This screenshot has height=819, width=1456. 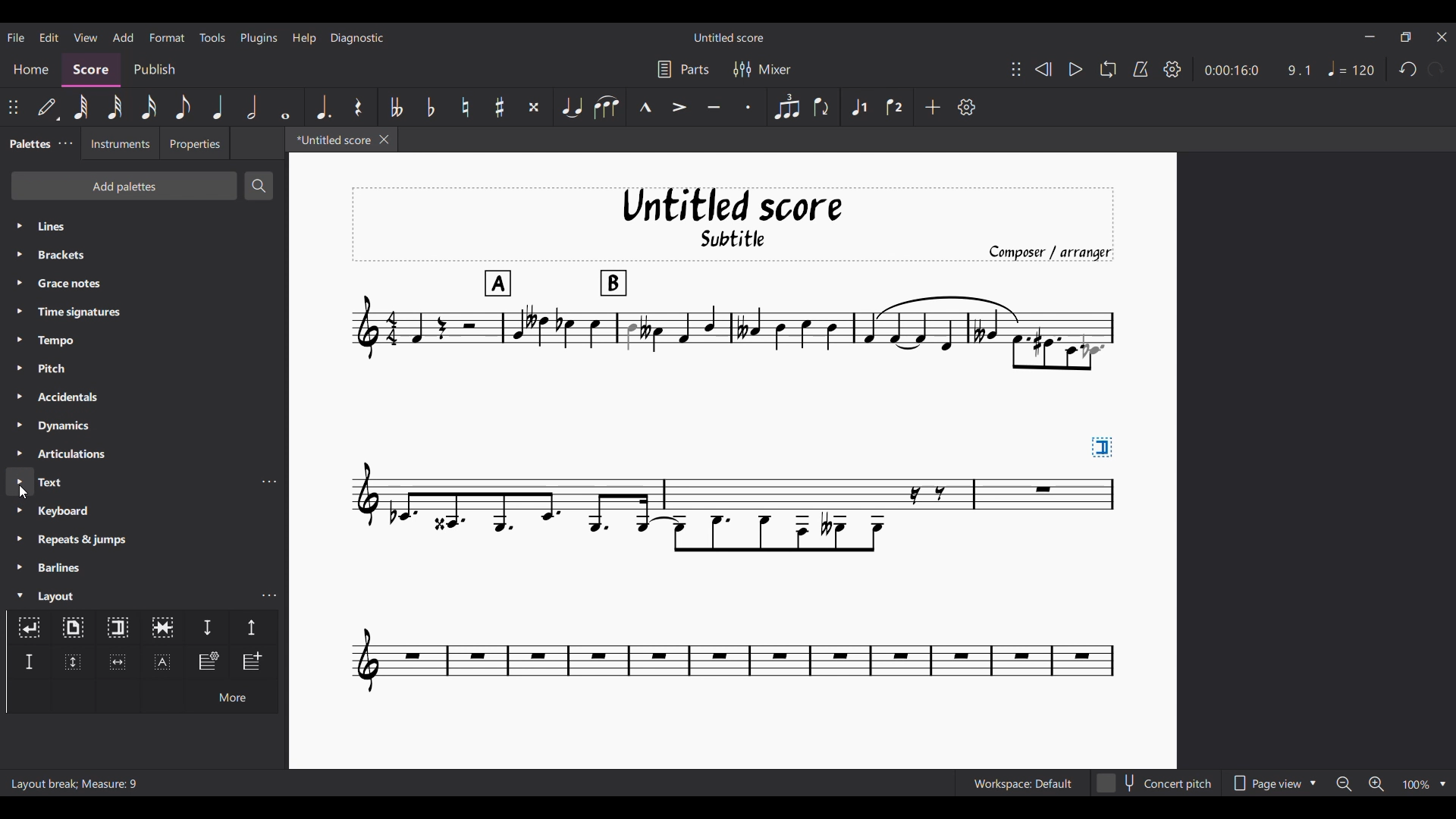 What do you see at coordinates (679, 107) in the screenshot?
I see `Accent` at bounding box center [679, 107].